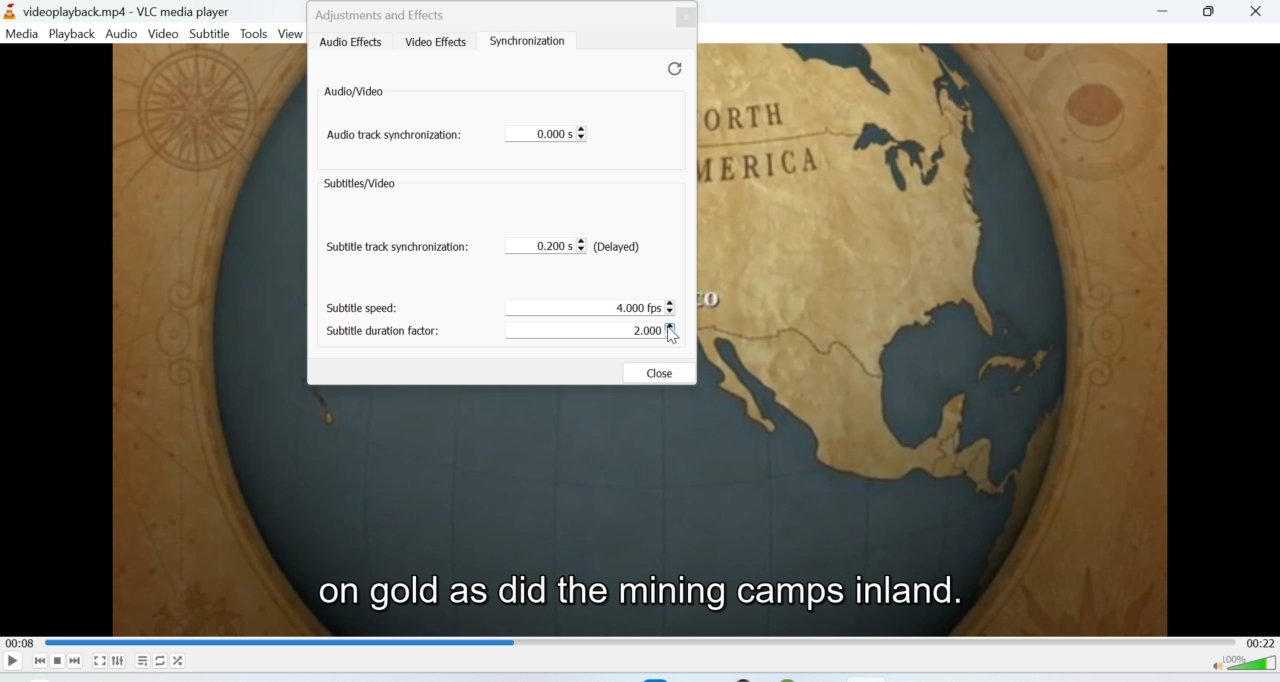 The height and width of the screenshot is (682, 1280). Describe the element at coordinates (99, 661) in the screenshot. I see `Fullscreen` at that location.